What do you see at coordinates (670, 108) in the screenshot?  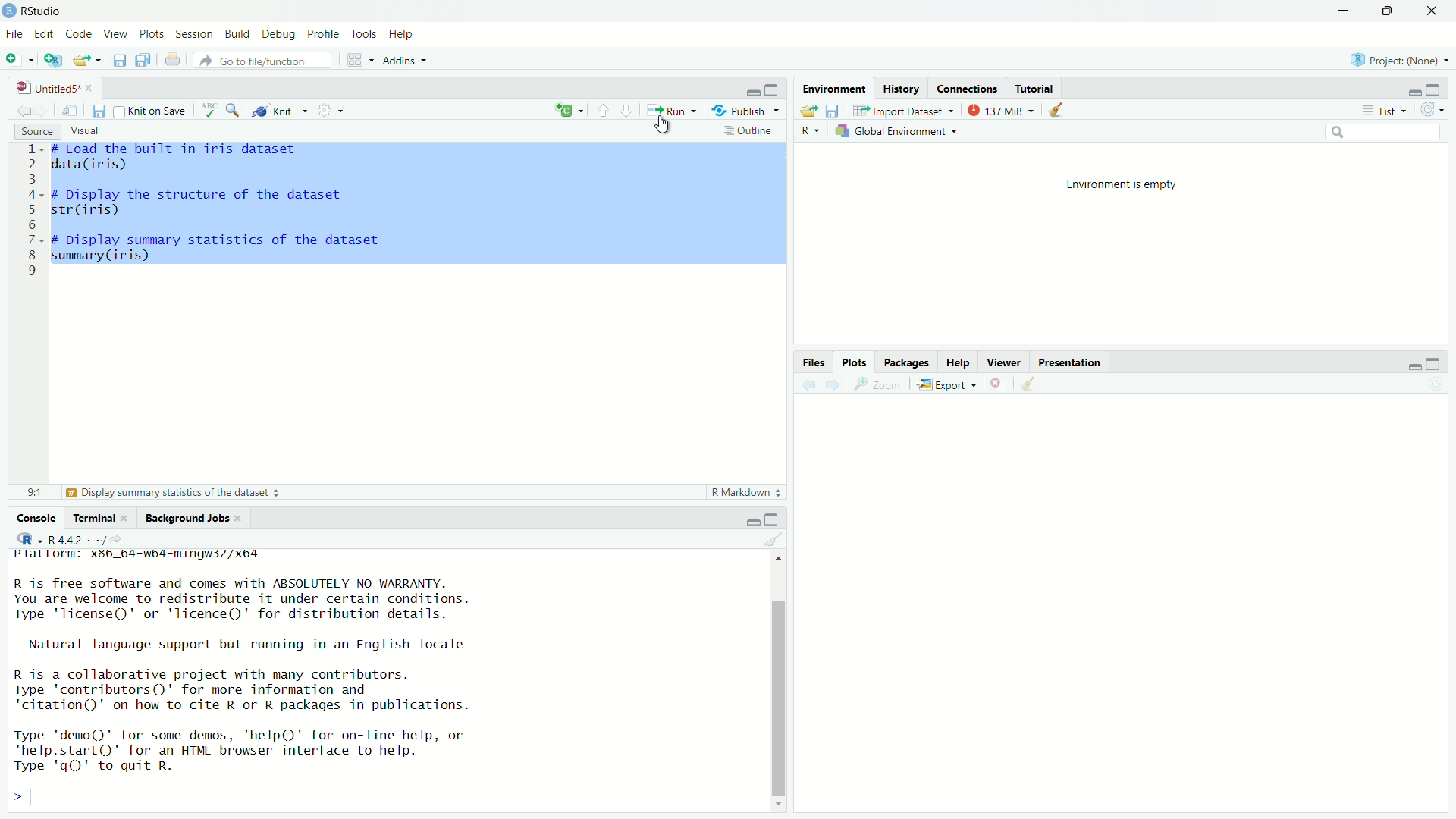 I see `Run current line` at bounding box center [670, 108].